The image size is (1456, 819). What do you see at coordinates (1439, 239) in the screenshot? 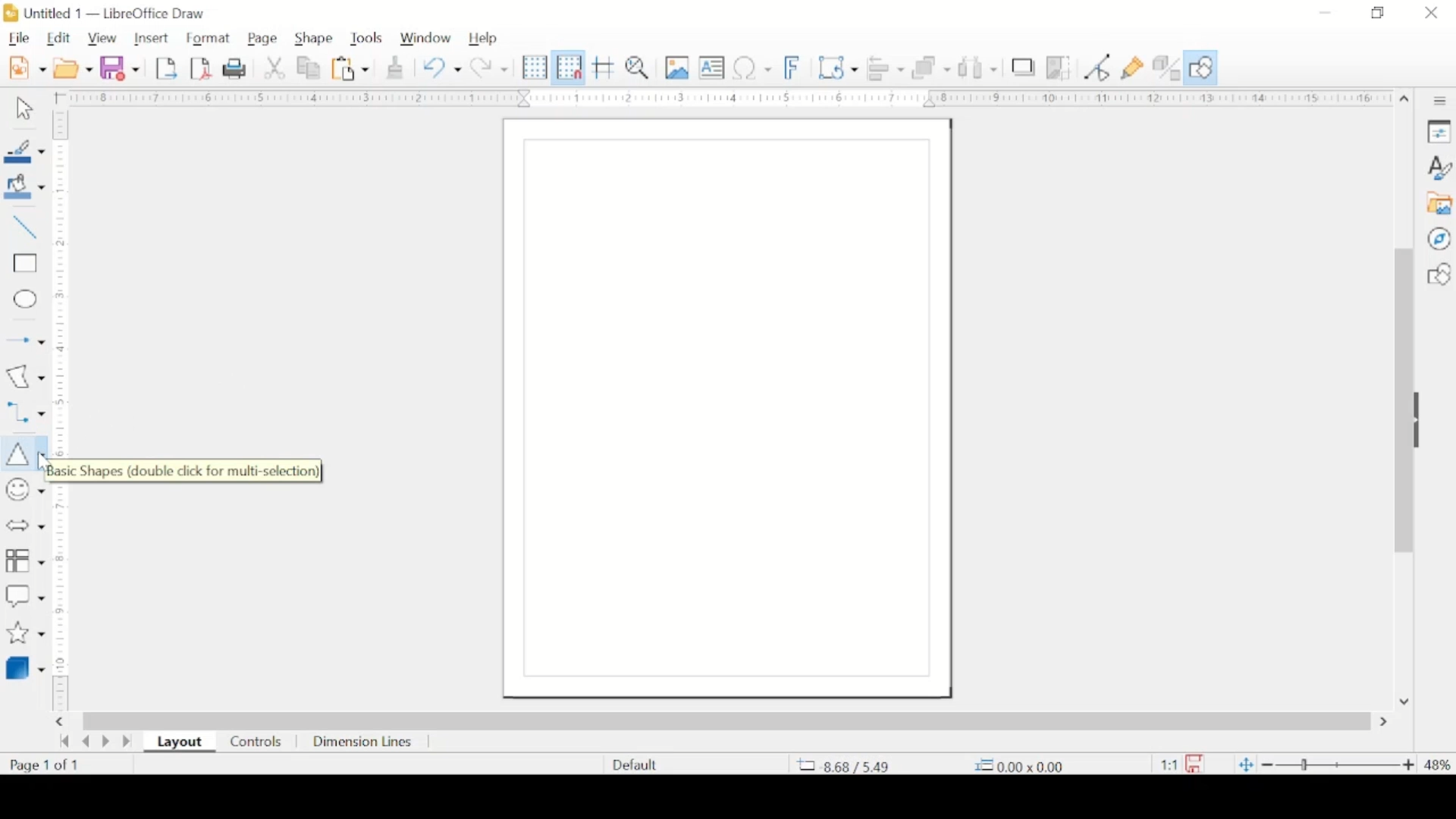
I see `navigator` at bounding box center [1439, 239].